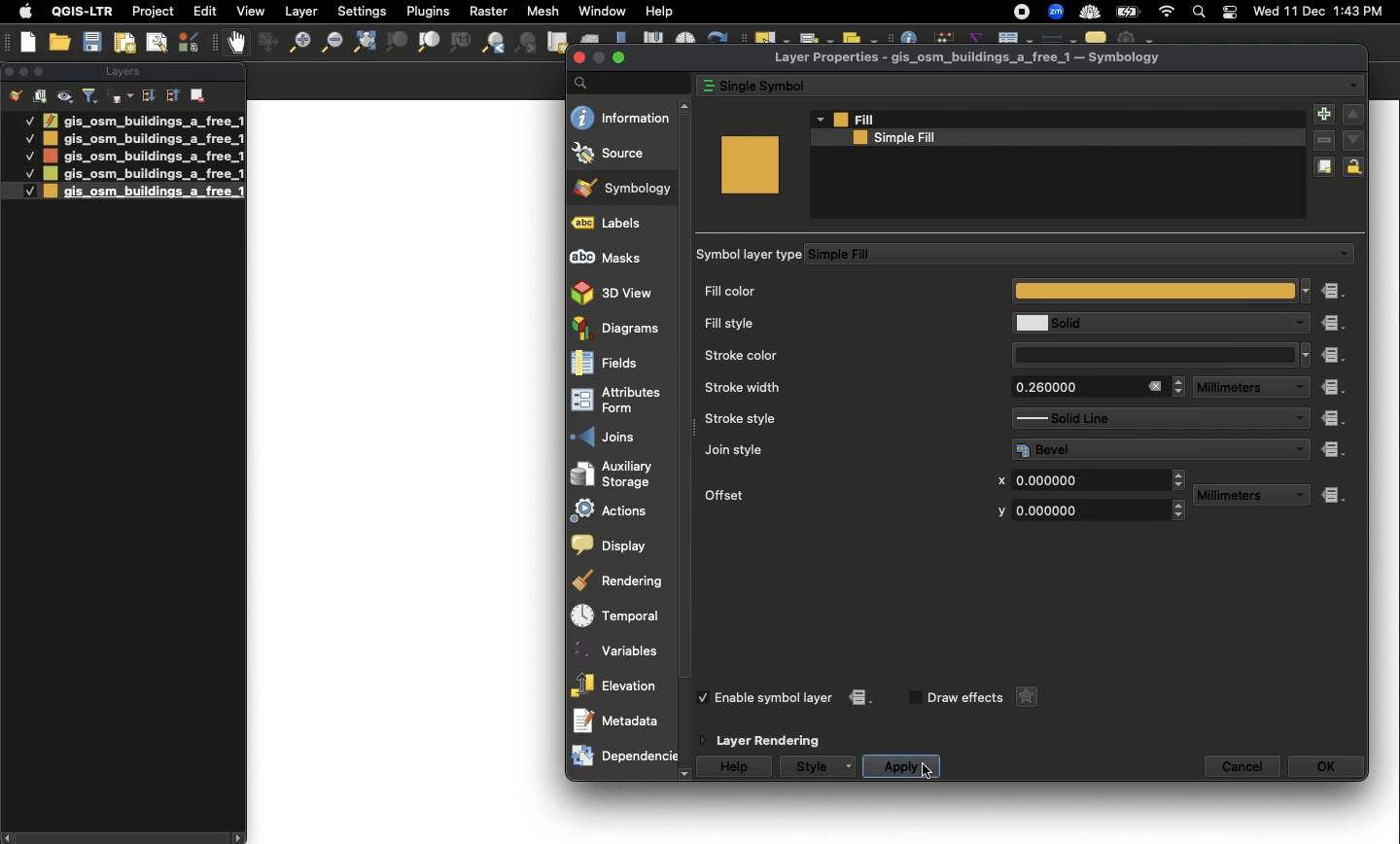  I want to click on Filter legend, so click(91, 96).